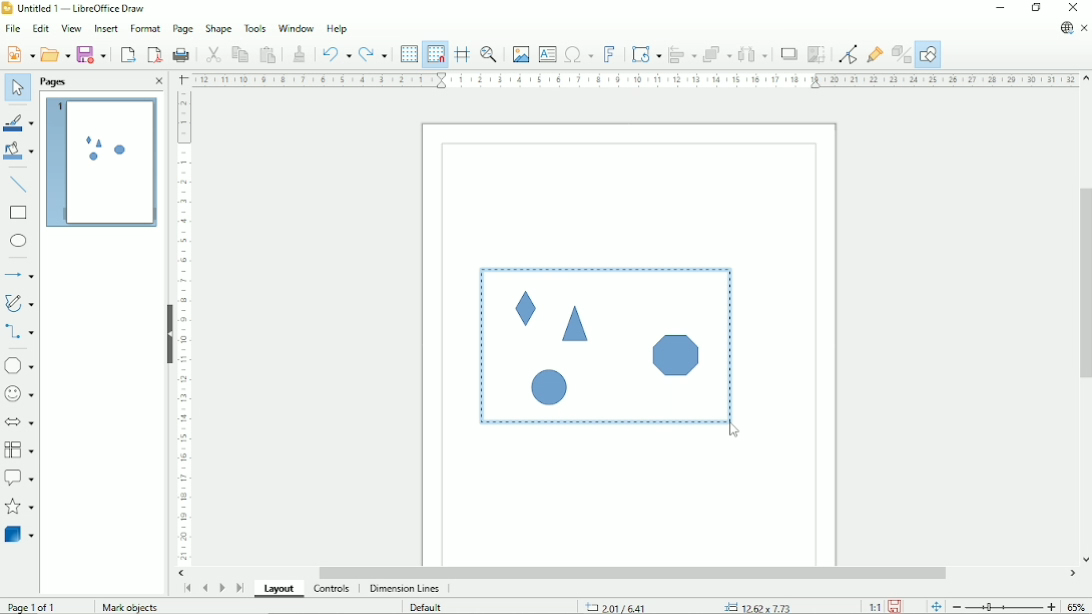  Describe the element at coordinates (154, 55) in the screenshot. I see `Export directly as PDF` at that location.